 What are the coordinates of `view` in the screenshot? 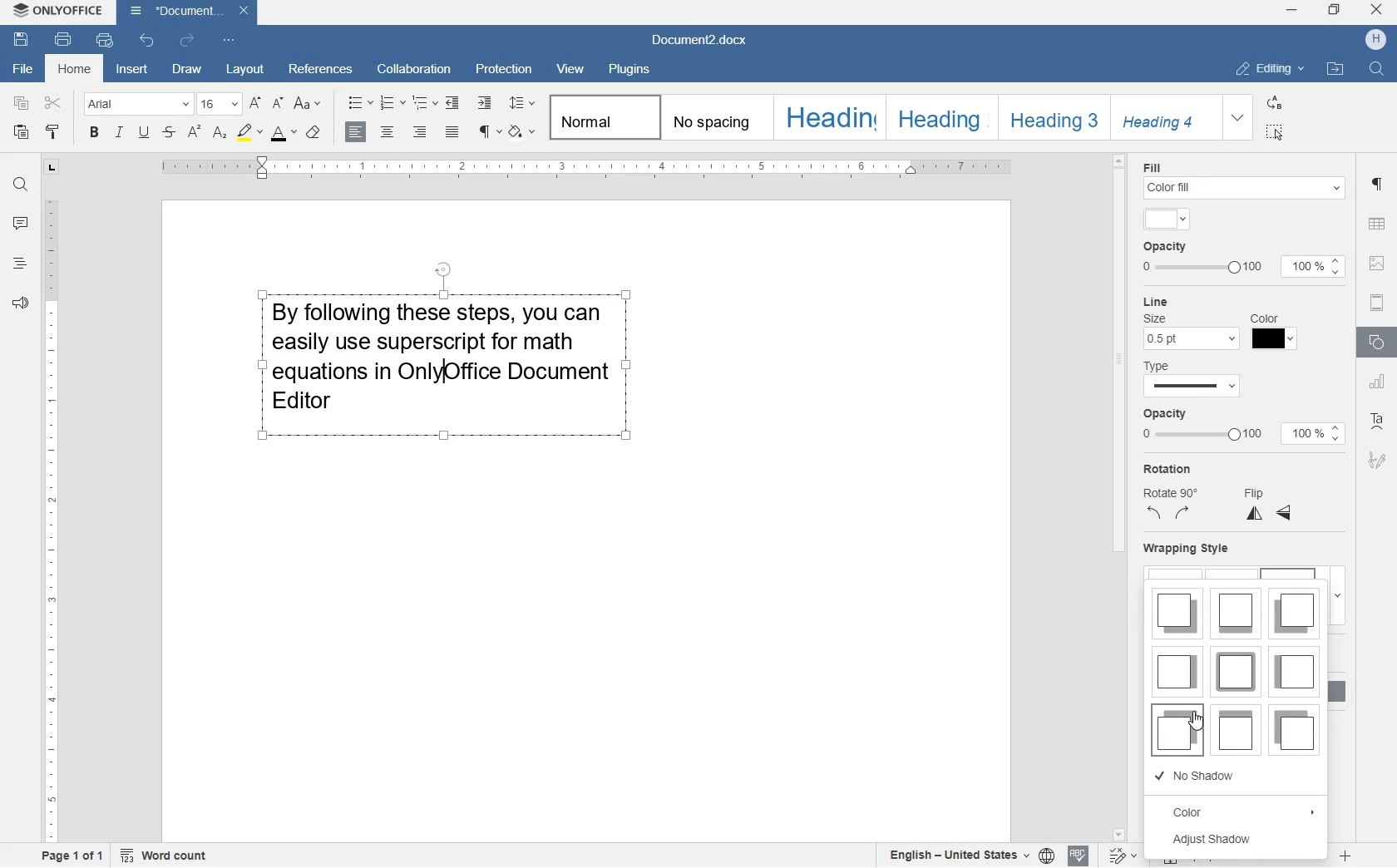 It's located at (571, 70).